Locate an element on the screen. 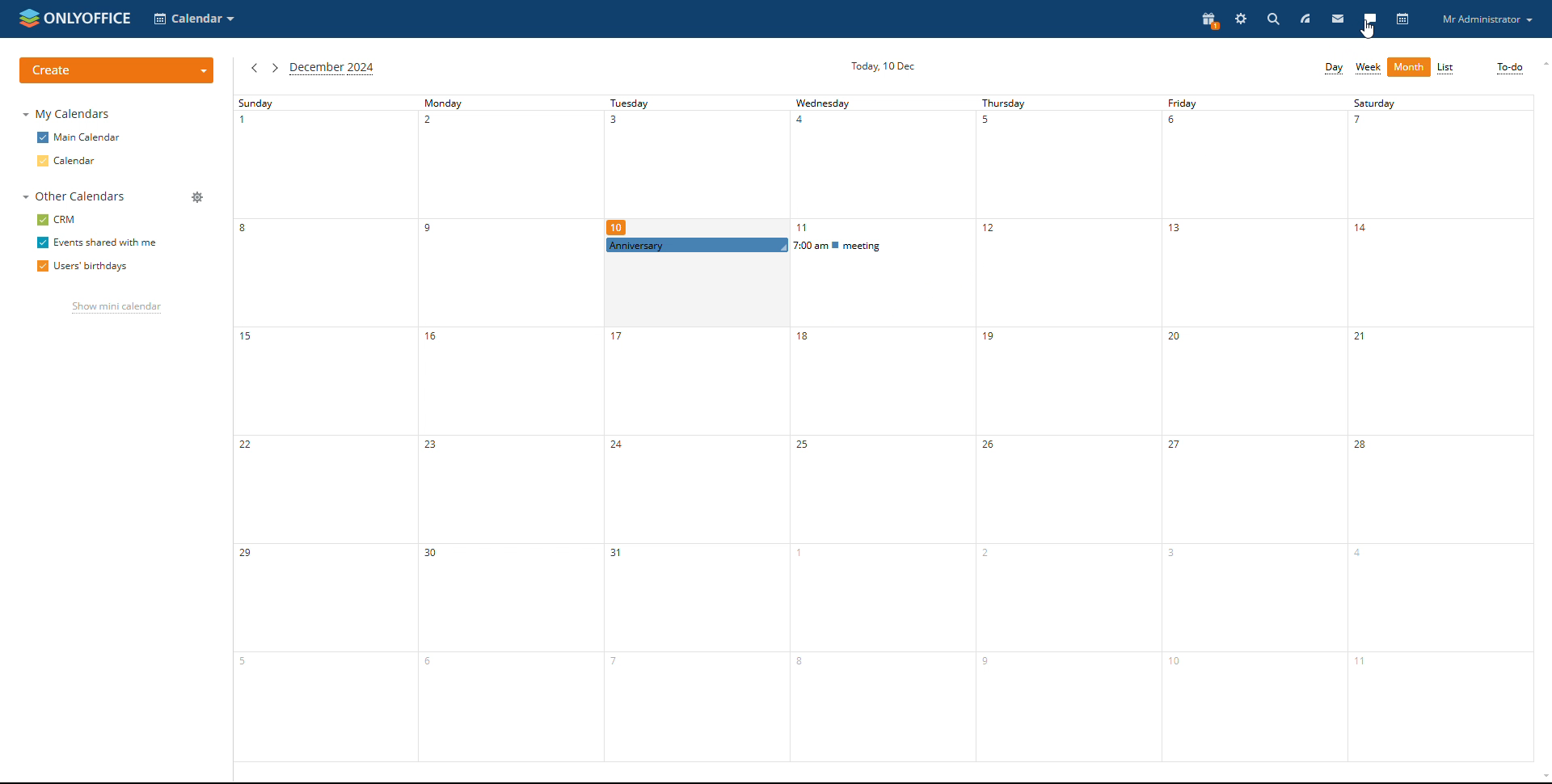 The width and height of the screenshot is (1552, 784). profile is located at coordinates (1487, 19).